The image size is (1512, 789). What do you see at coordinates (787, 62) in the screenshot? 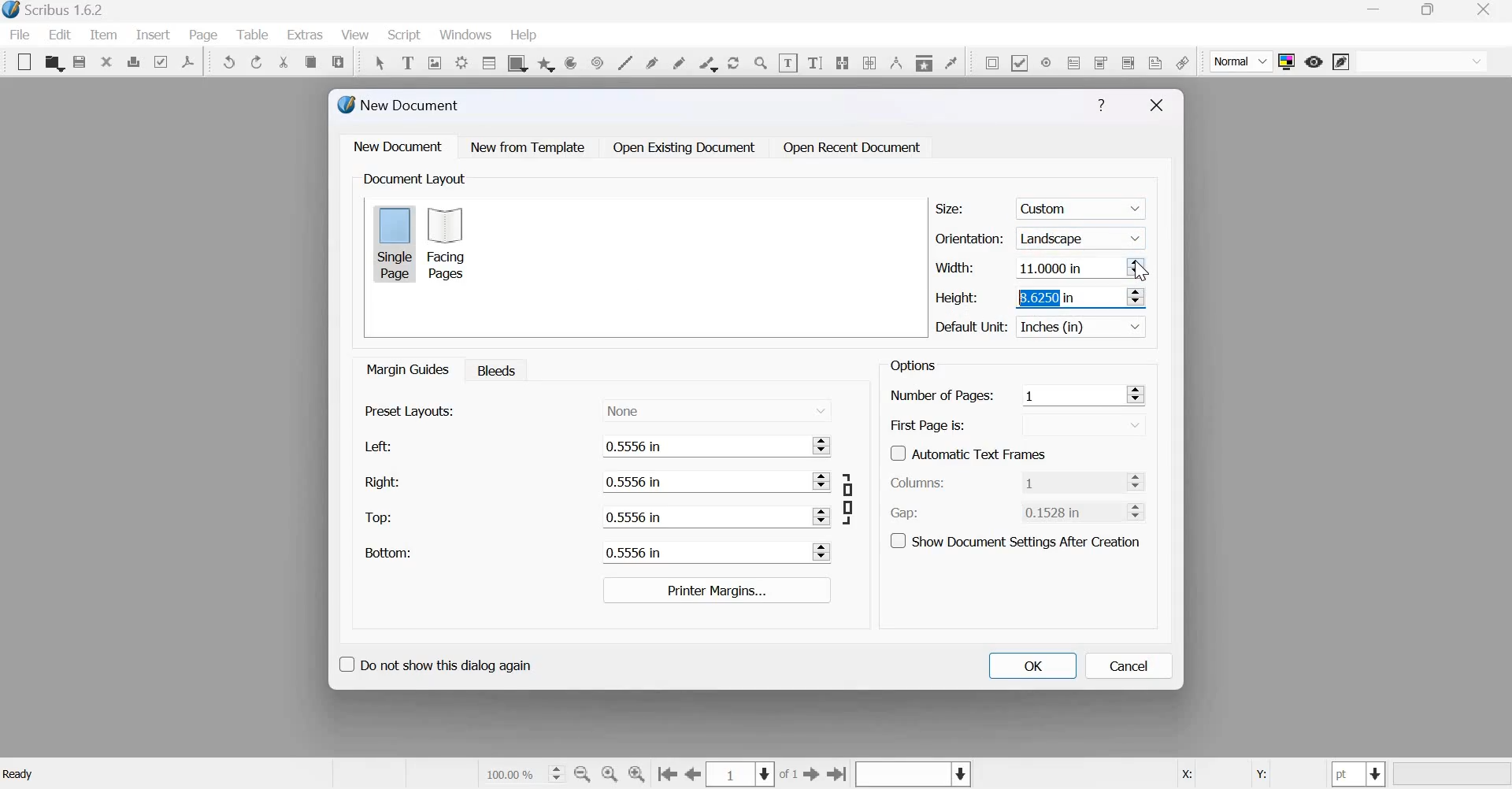
I see `edit contents of frame` at bounding box center [787, 62].